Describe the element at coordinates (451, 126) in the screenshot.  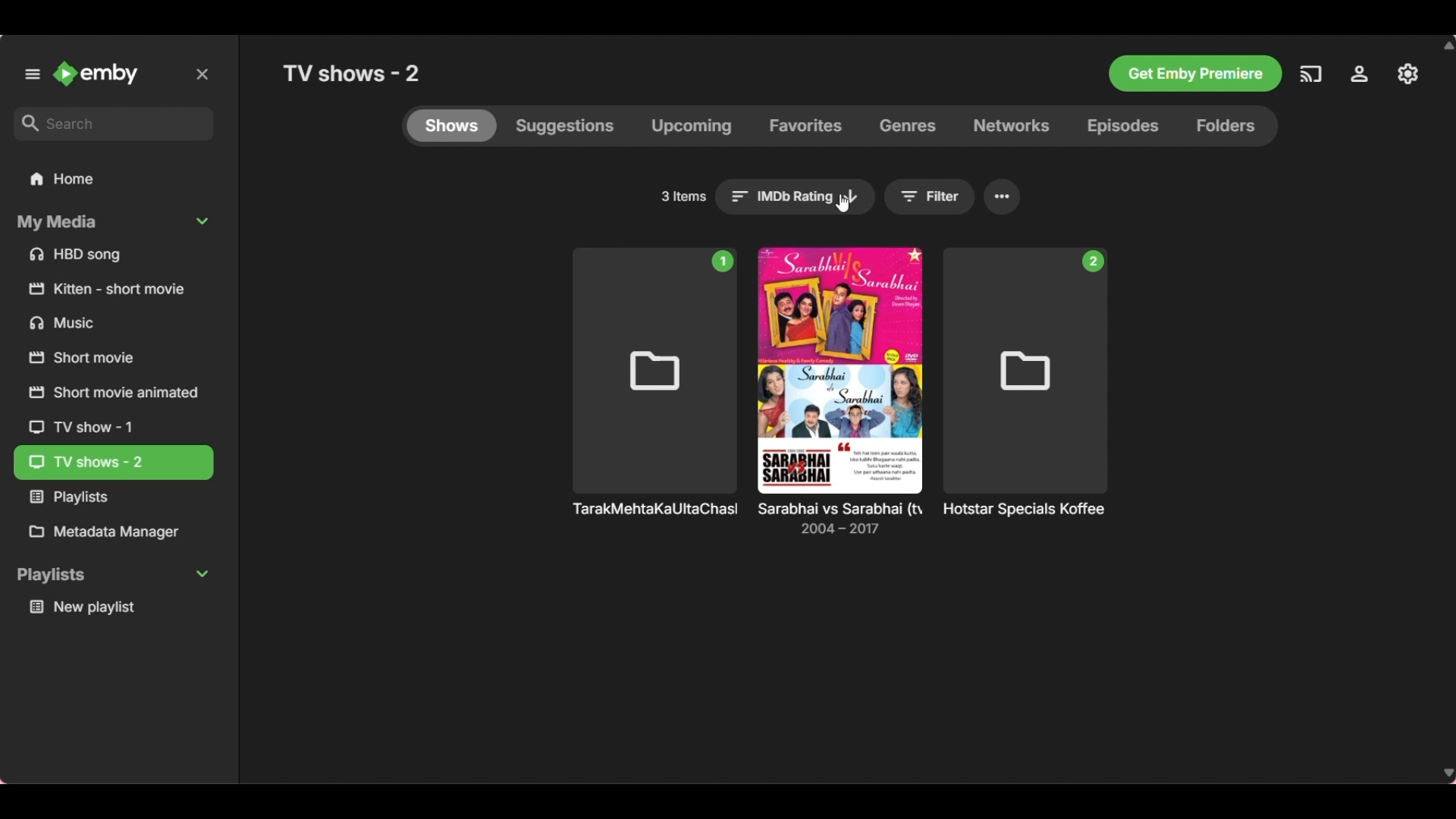
I see `Shows` at that location.